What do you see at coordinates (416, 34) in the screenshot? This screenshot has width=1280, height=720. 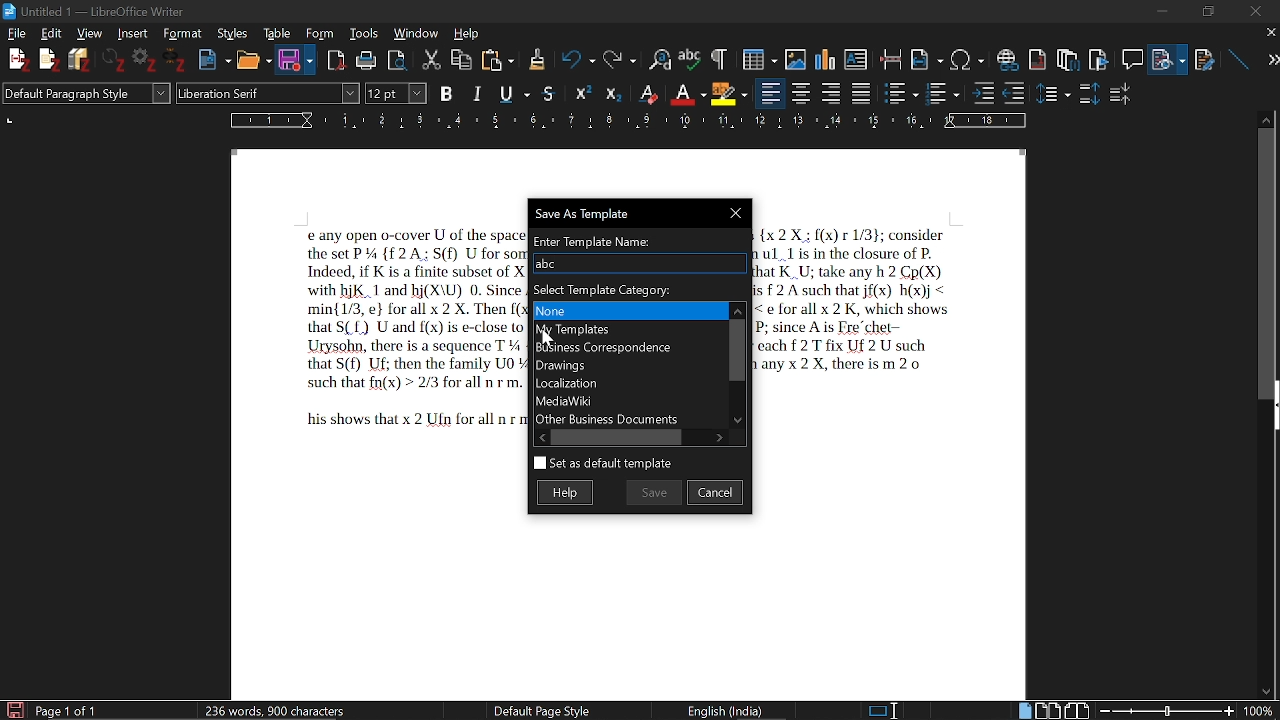 I see `Window` at bounding box center [416, 34].